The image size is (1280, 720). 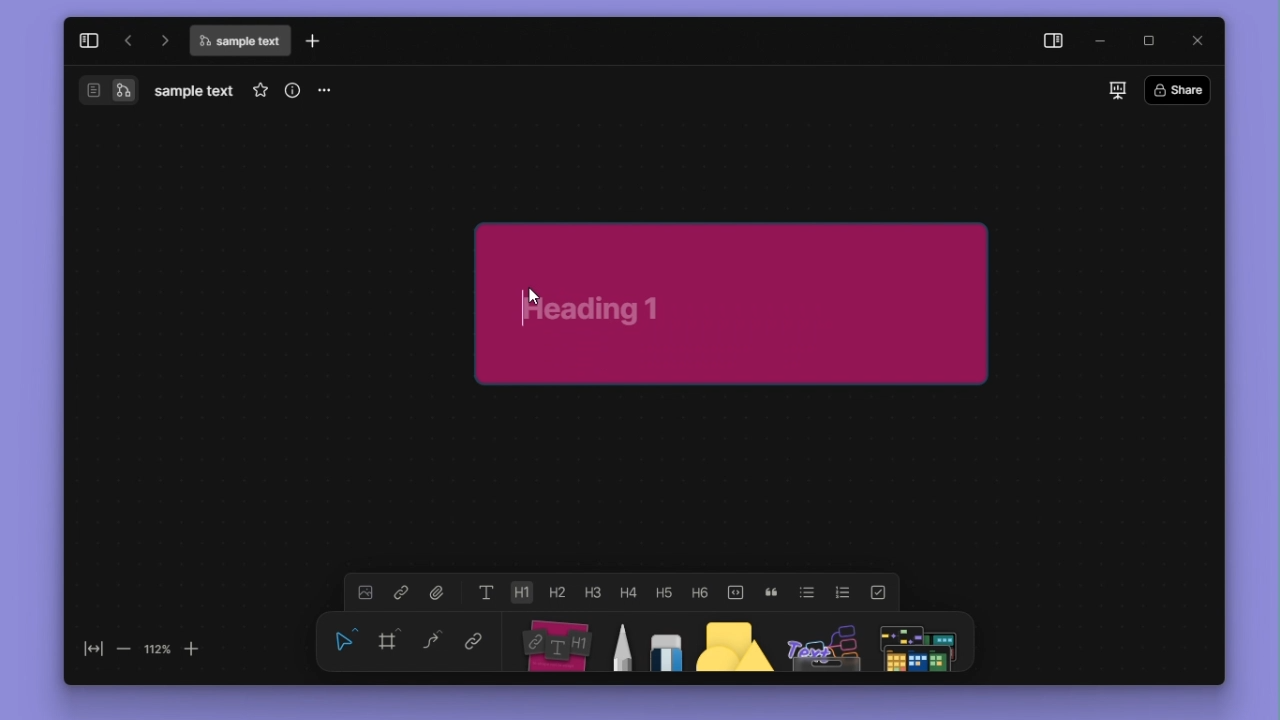 What do you see at coordinates (432, 639) in the screenshot?
I see `curve` at bounding box center [432, 639].